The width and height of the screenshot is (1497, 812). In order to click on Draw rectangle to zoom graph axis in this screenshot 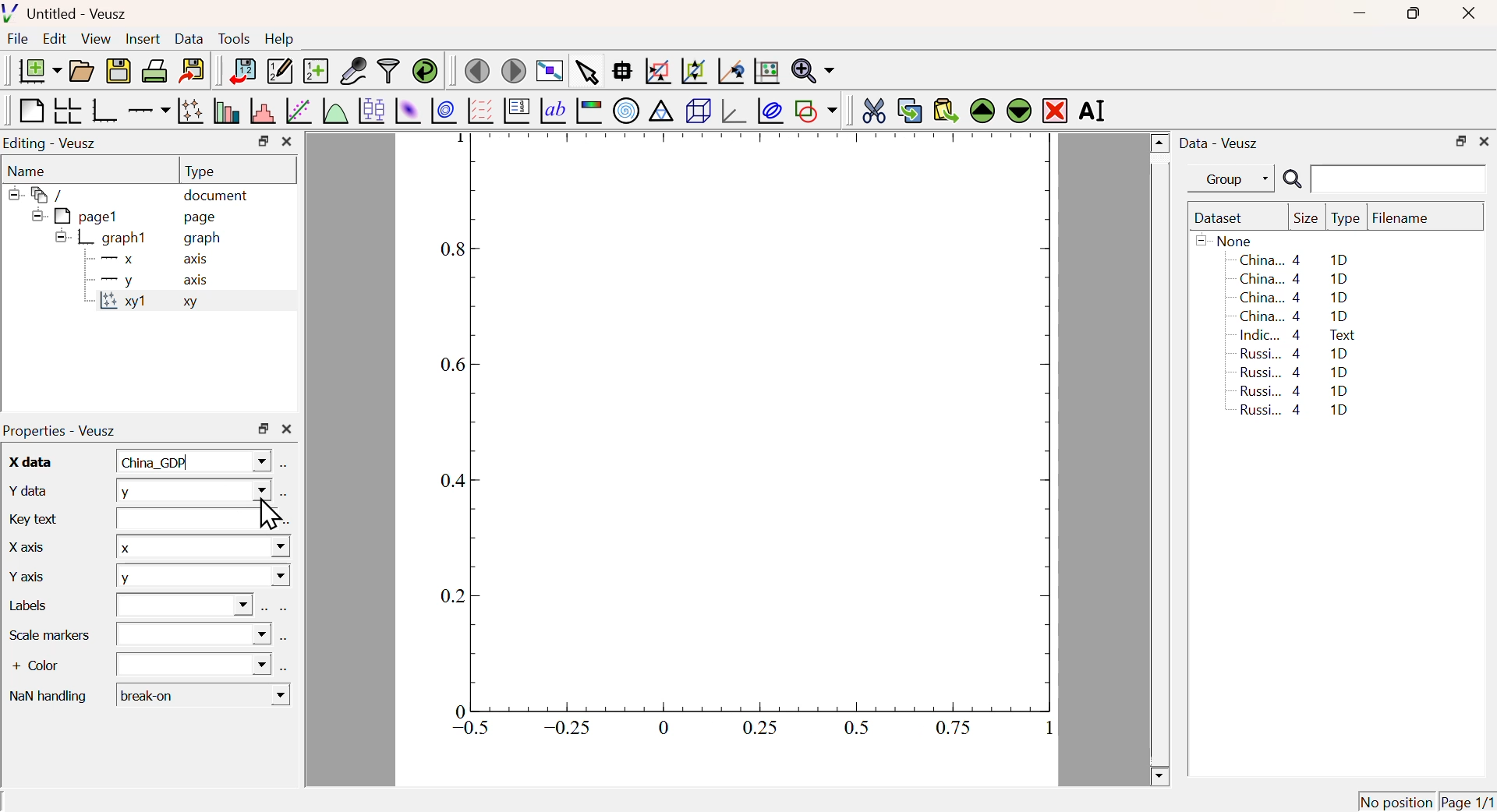, I will do `click(656, 71)`.